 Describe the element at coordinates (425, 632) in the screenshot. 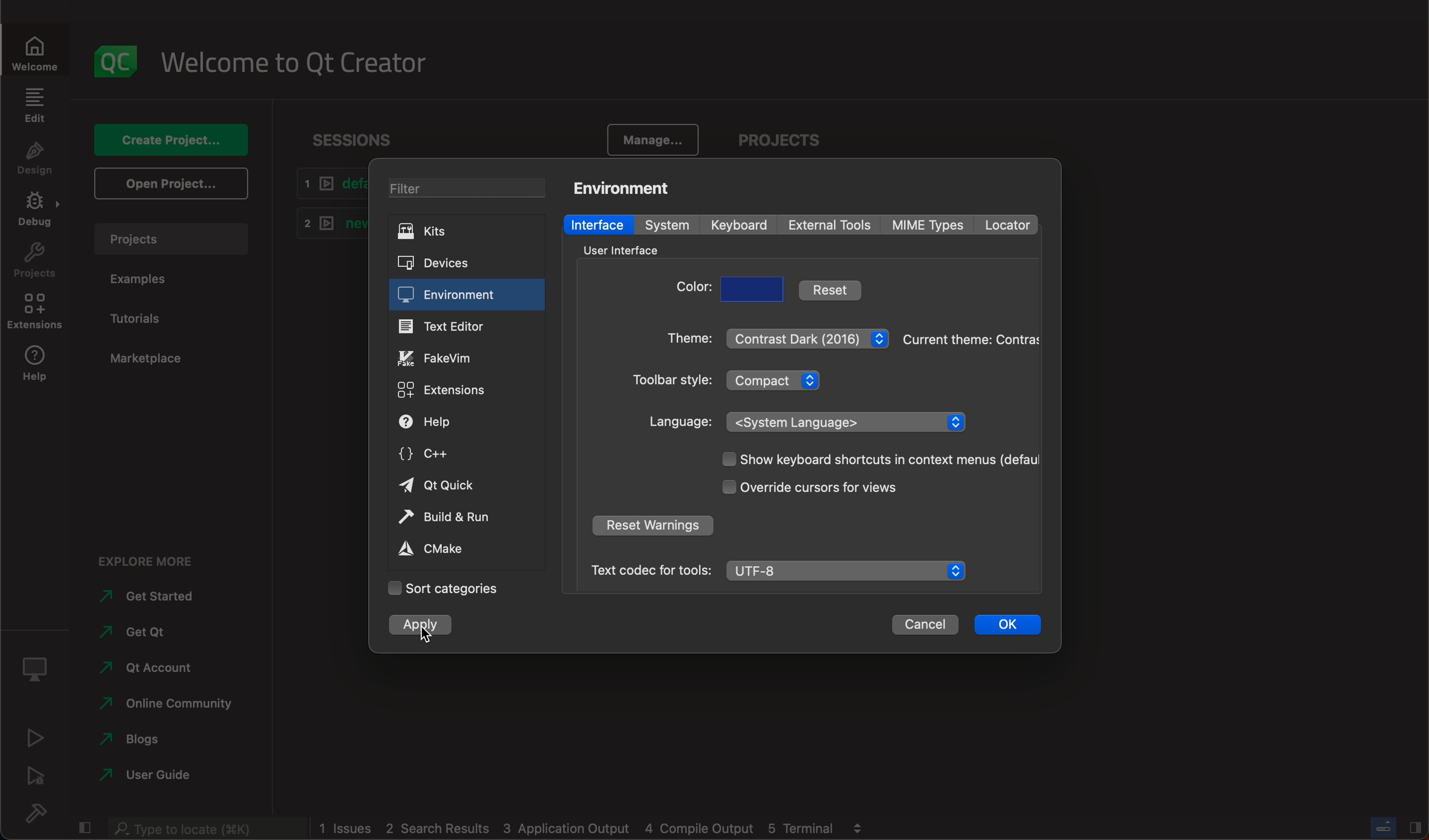

I see `cursor` at that location.